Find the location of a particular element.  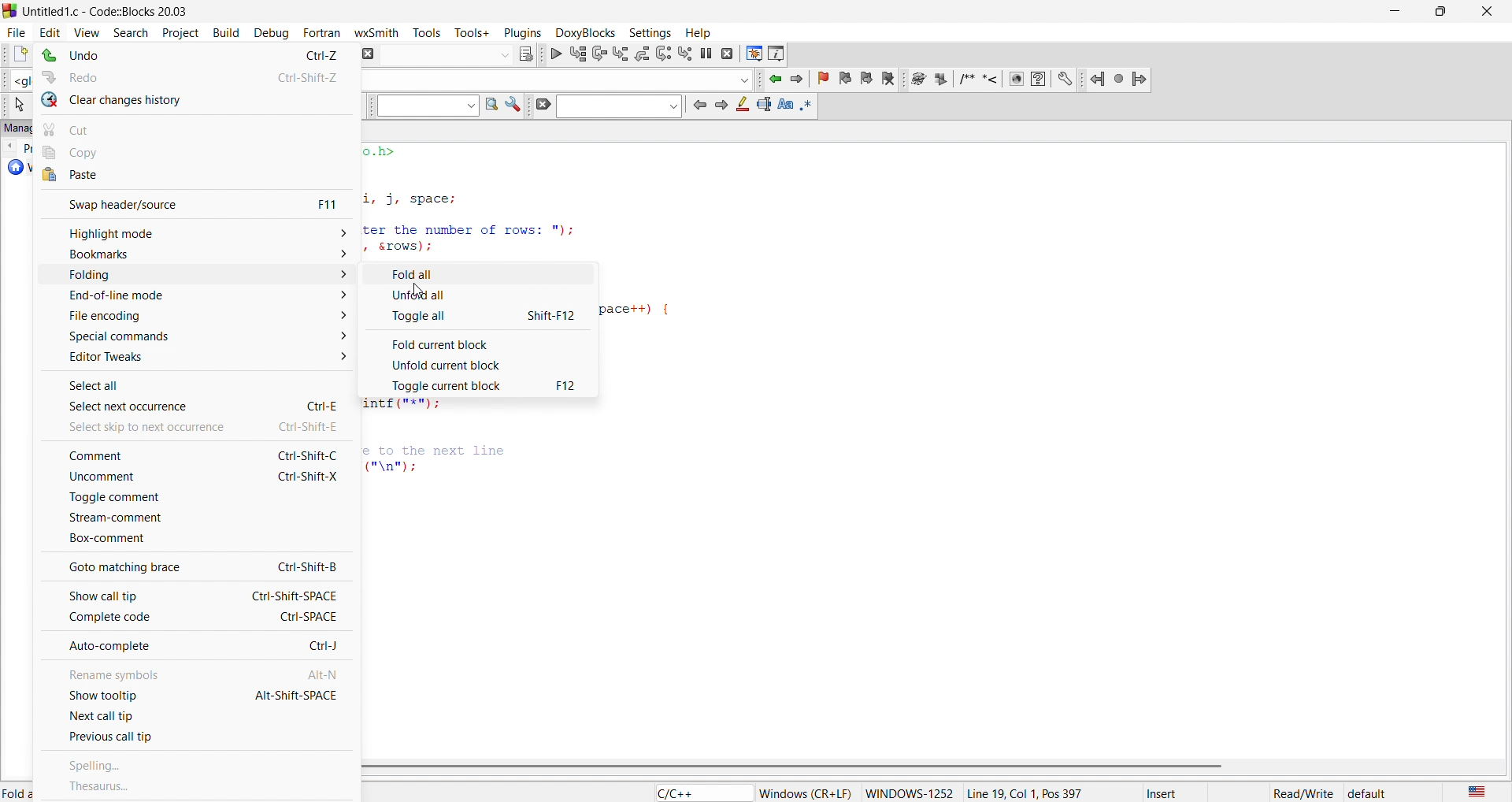

copy is located at coordinates (200, 152).